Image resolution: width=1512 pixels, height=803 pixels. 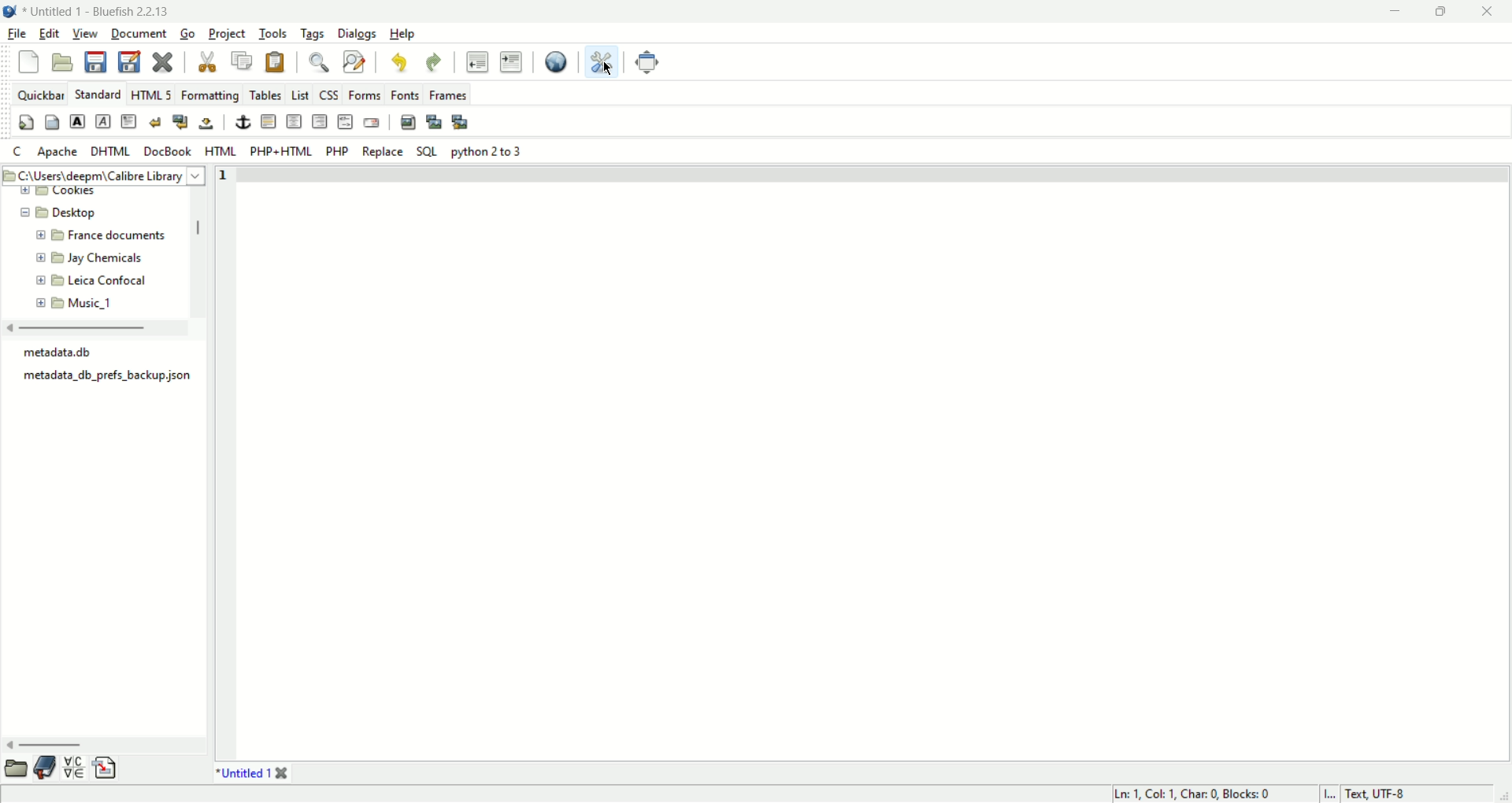 I want to click on dialogs, so click(x=358, y=35).